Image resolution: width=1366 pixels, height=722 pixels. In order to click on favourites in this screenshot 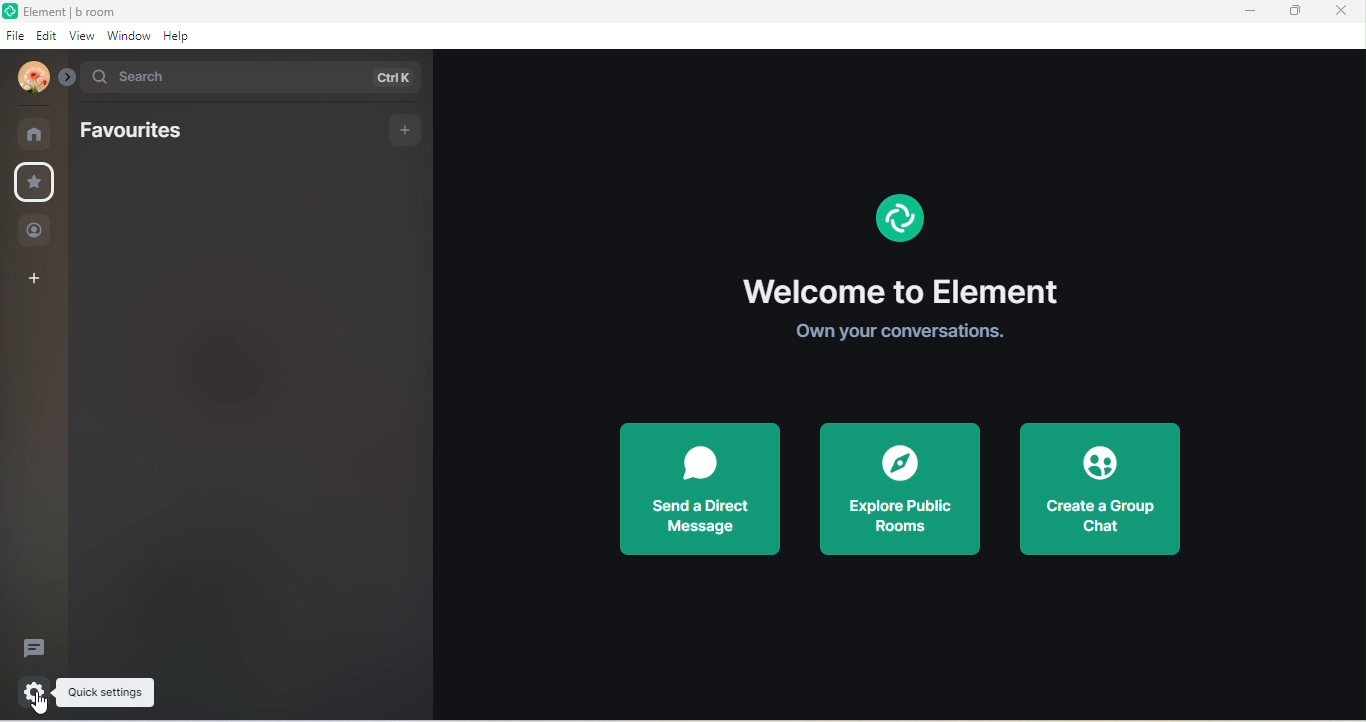, I will do `click(141, 132)`.